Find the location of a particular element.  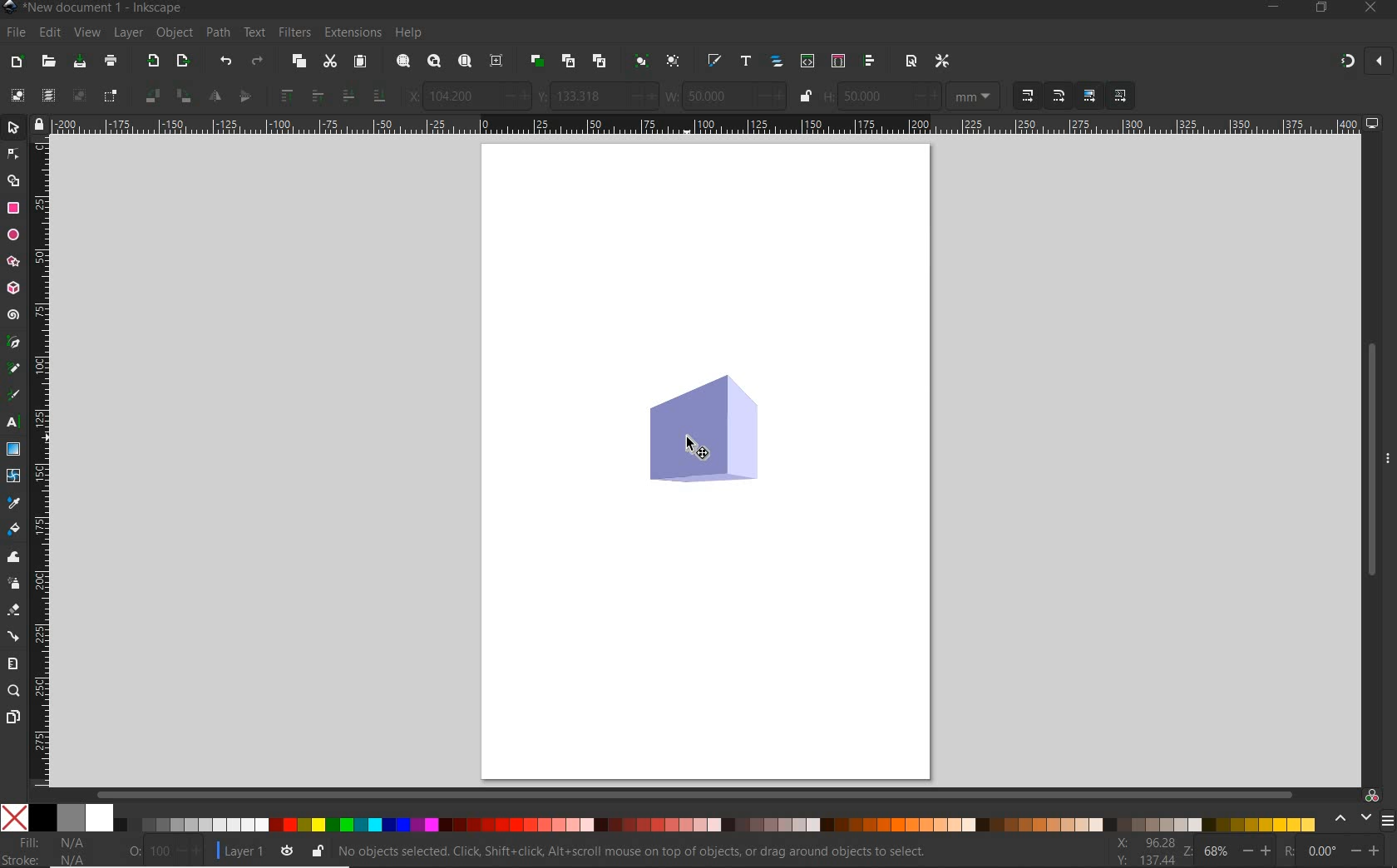

50 is located at coordinates (871, 96).